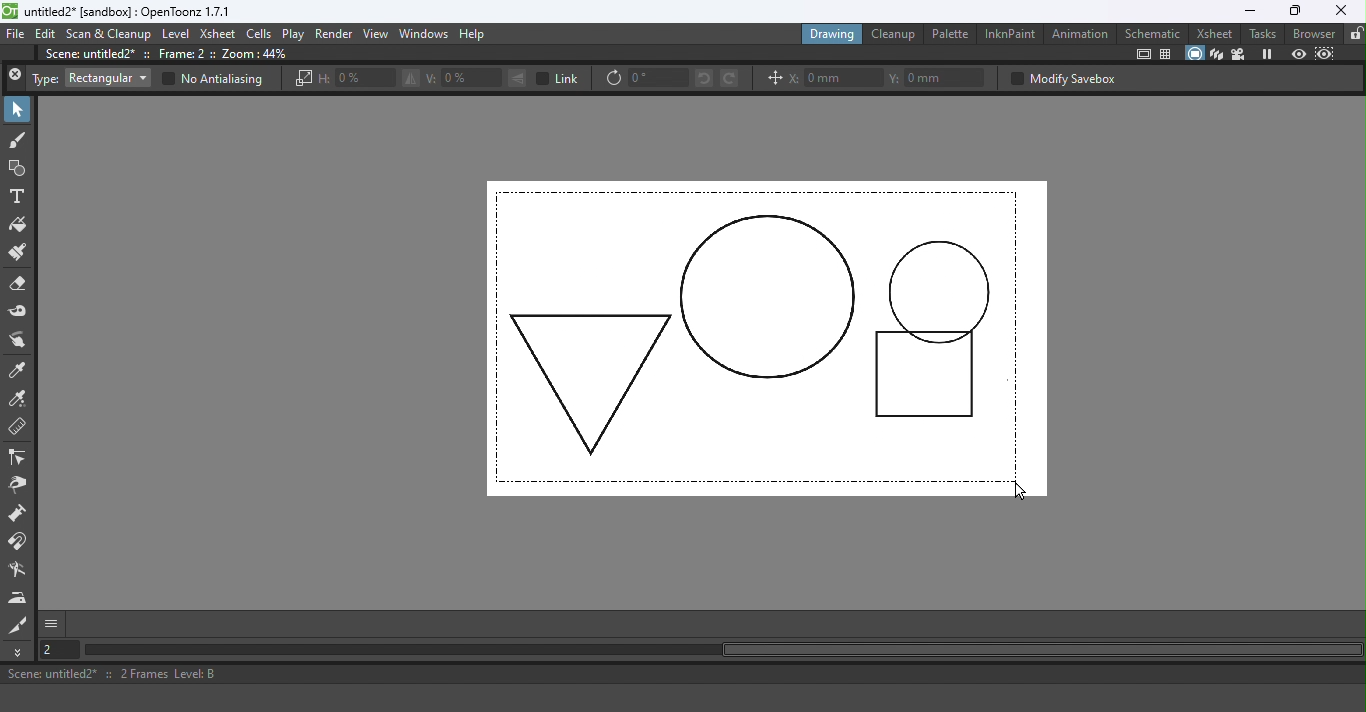 The width and height of the screenshot is (1366, 712). Describe the element at coordinates (730, 77) in the screenshot. I see `Rotate selection right` at that location.